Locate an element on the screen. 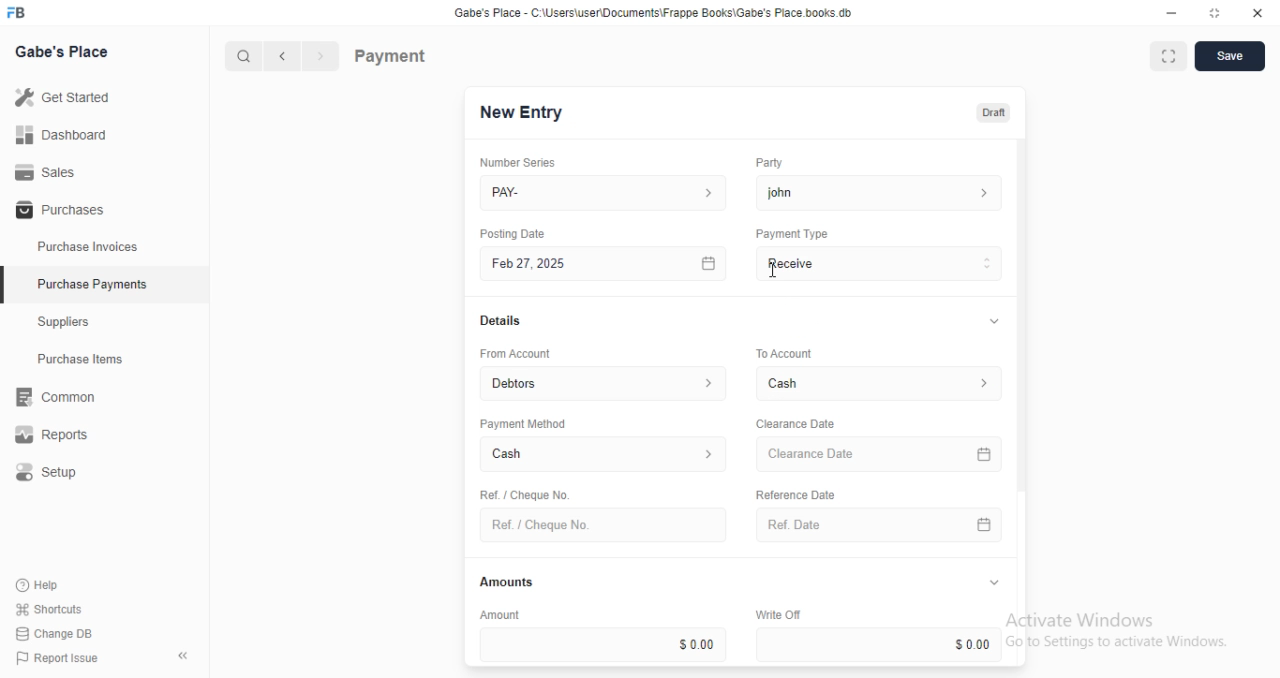 The height and width of the screenshot is (678, 1280). Reference Date is located at coordinates (794, 493).